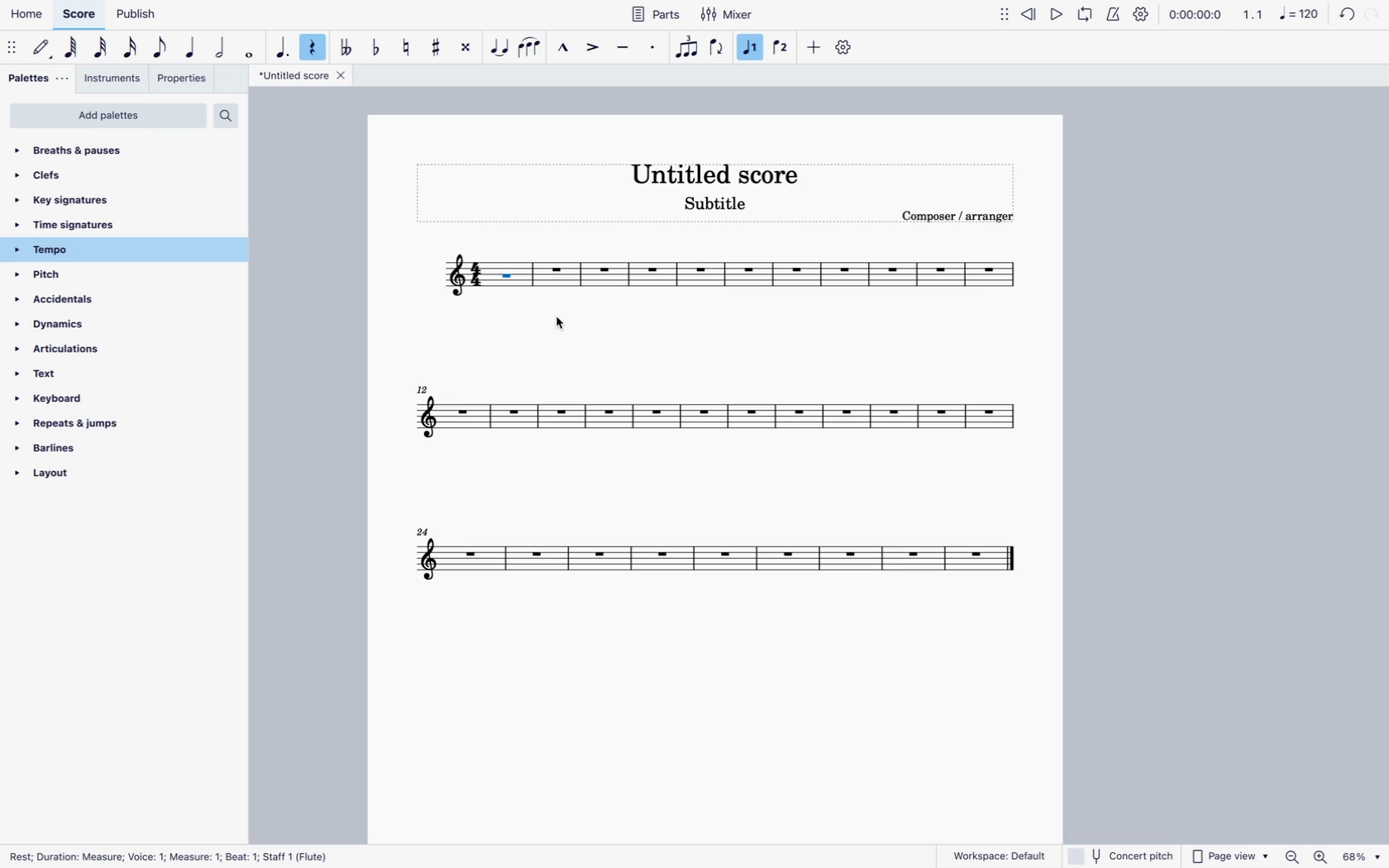  I want to click on pitch, so click(77, 275).